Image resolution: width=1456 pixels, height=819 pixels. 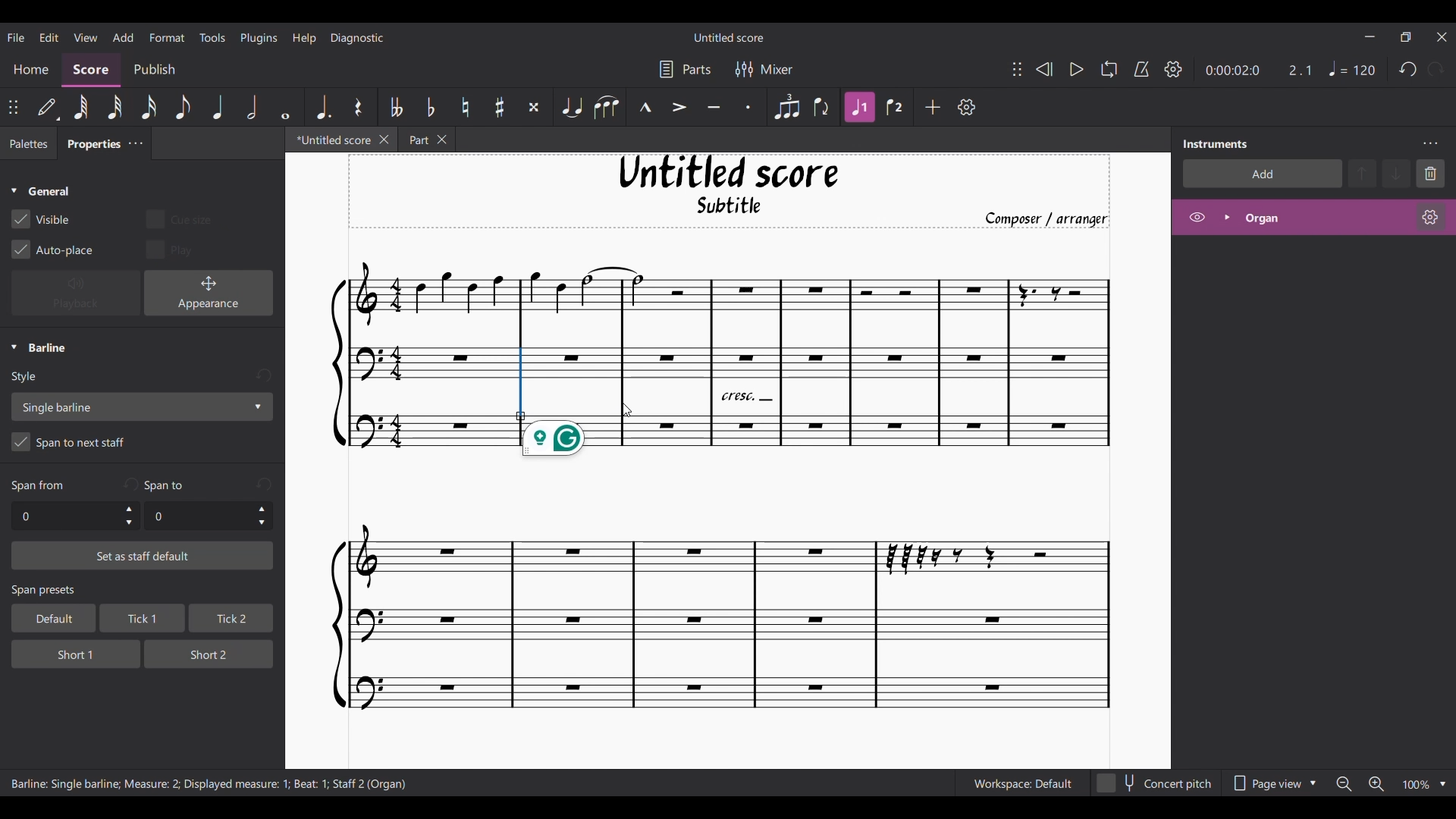 What do you see at coordinates (1370, 36) in the screenshot?
I see `Minimize` at bounding box center [1370, 36].